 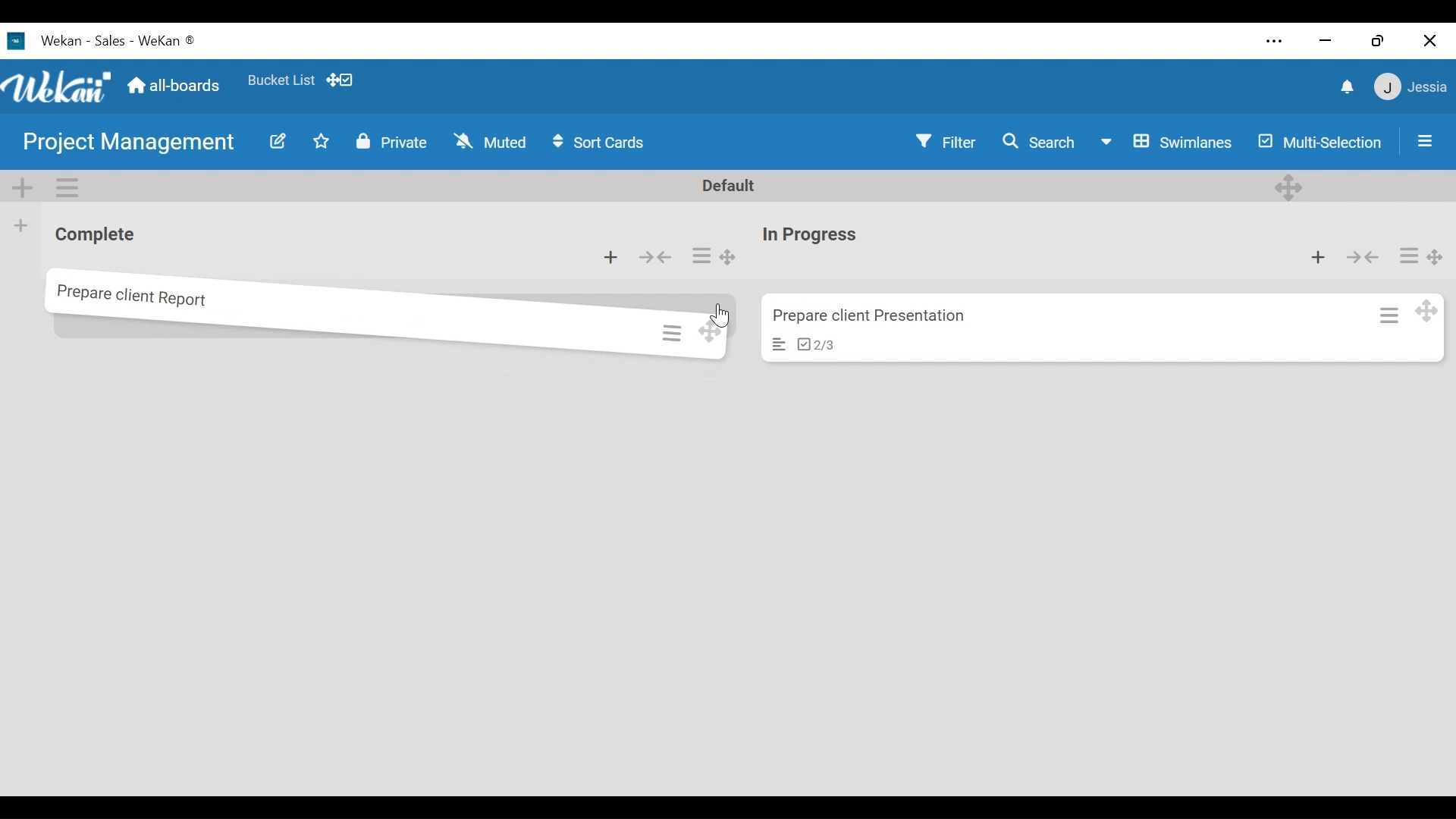 I want to click on Add card to the top of the list, so click(x=612, y=257).